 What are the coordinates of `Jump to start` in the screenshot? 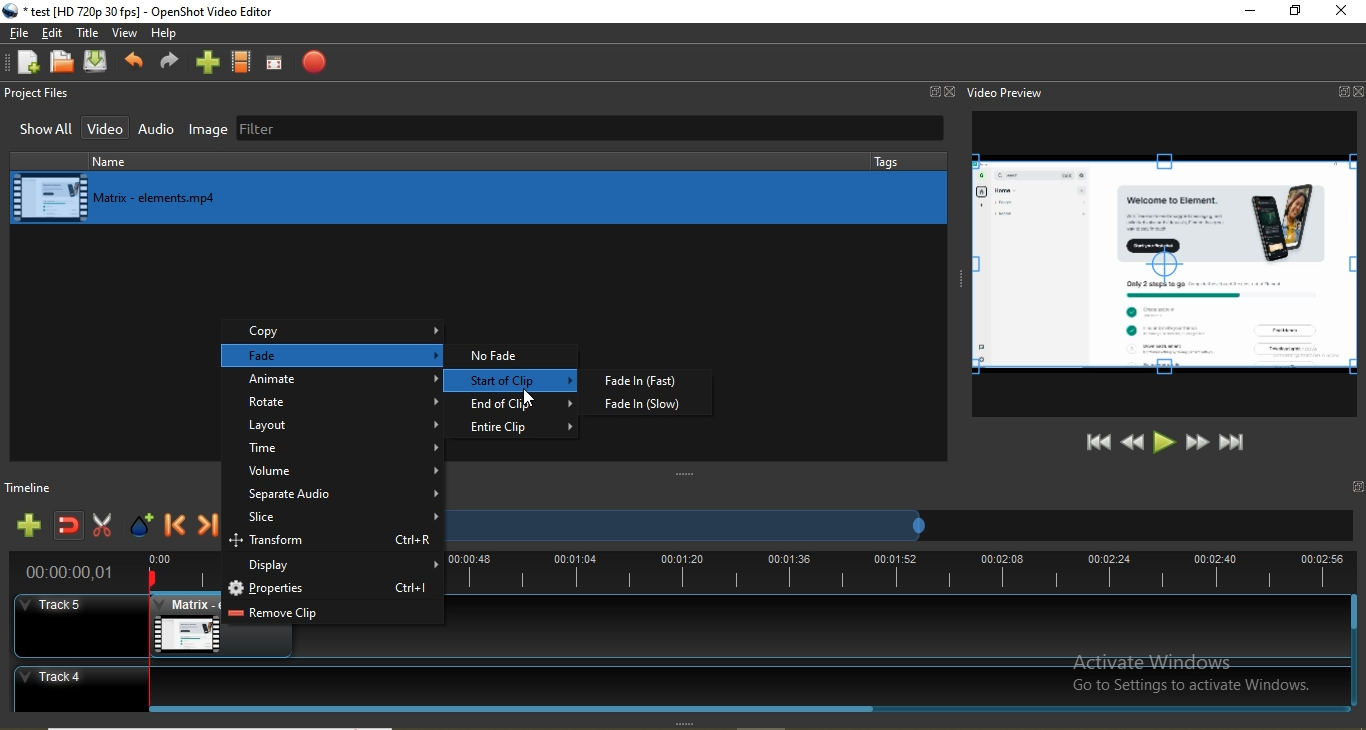 It's located at (1096, 442).